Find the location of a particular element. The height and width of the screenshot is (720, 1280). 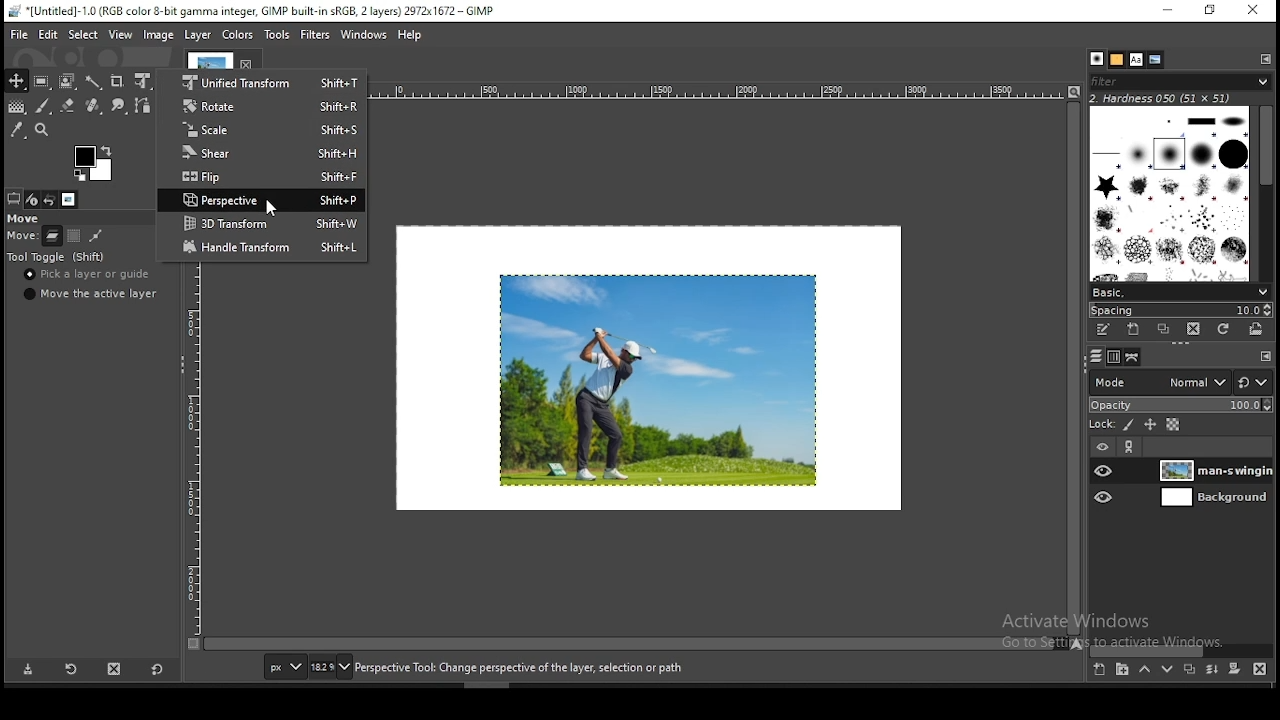

unified transform tool is located at coordinates (144, 81).